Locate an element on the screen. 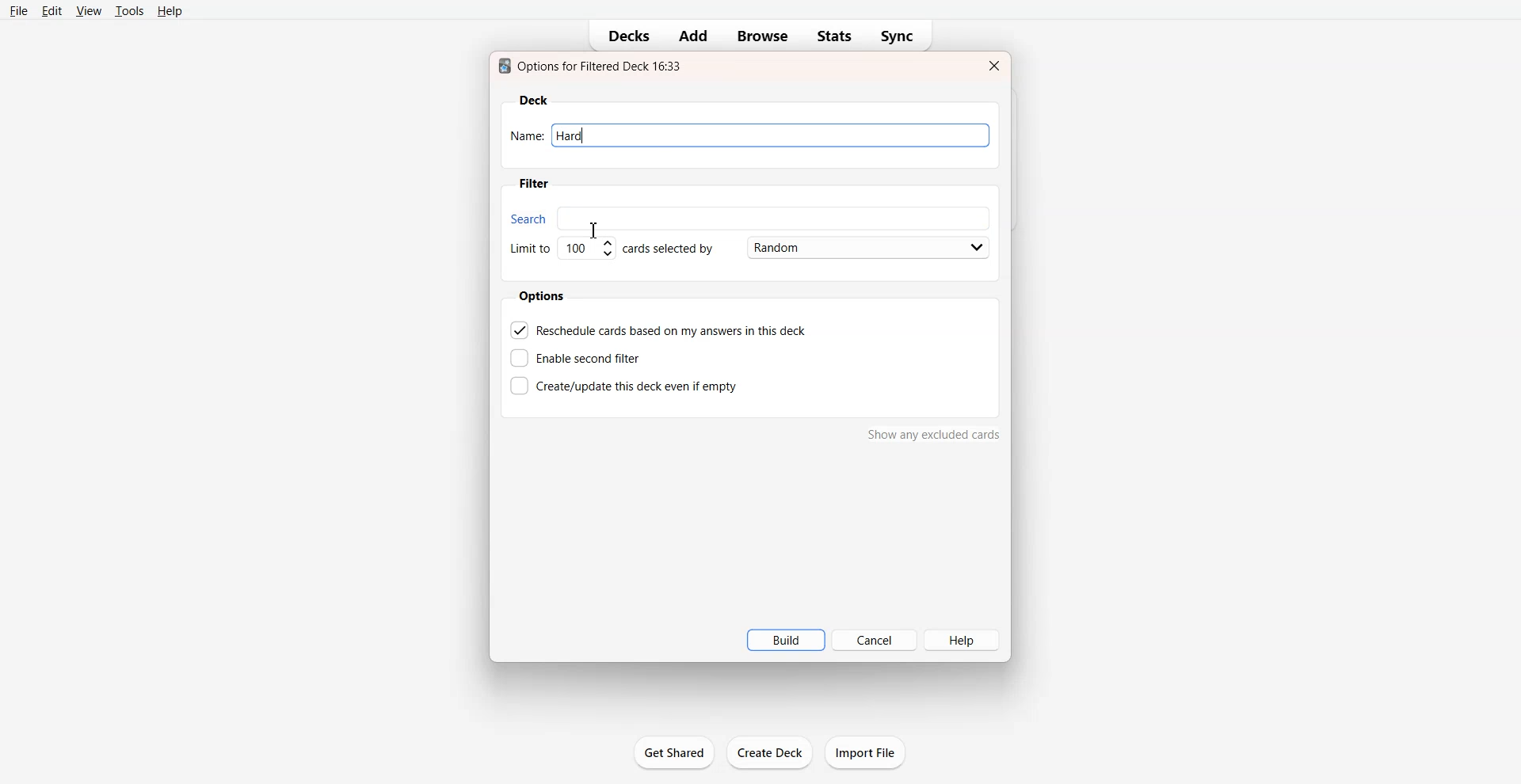 This screenshot has width=1521, height=784. create deck is located at coordinates (774, 753).